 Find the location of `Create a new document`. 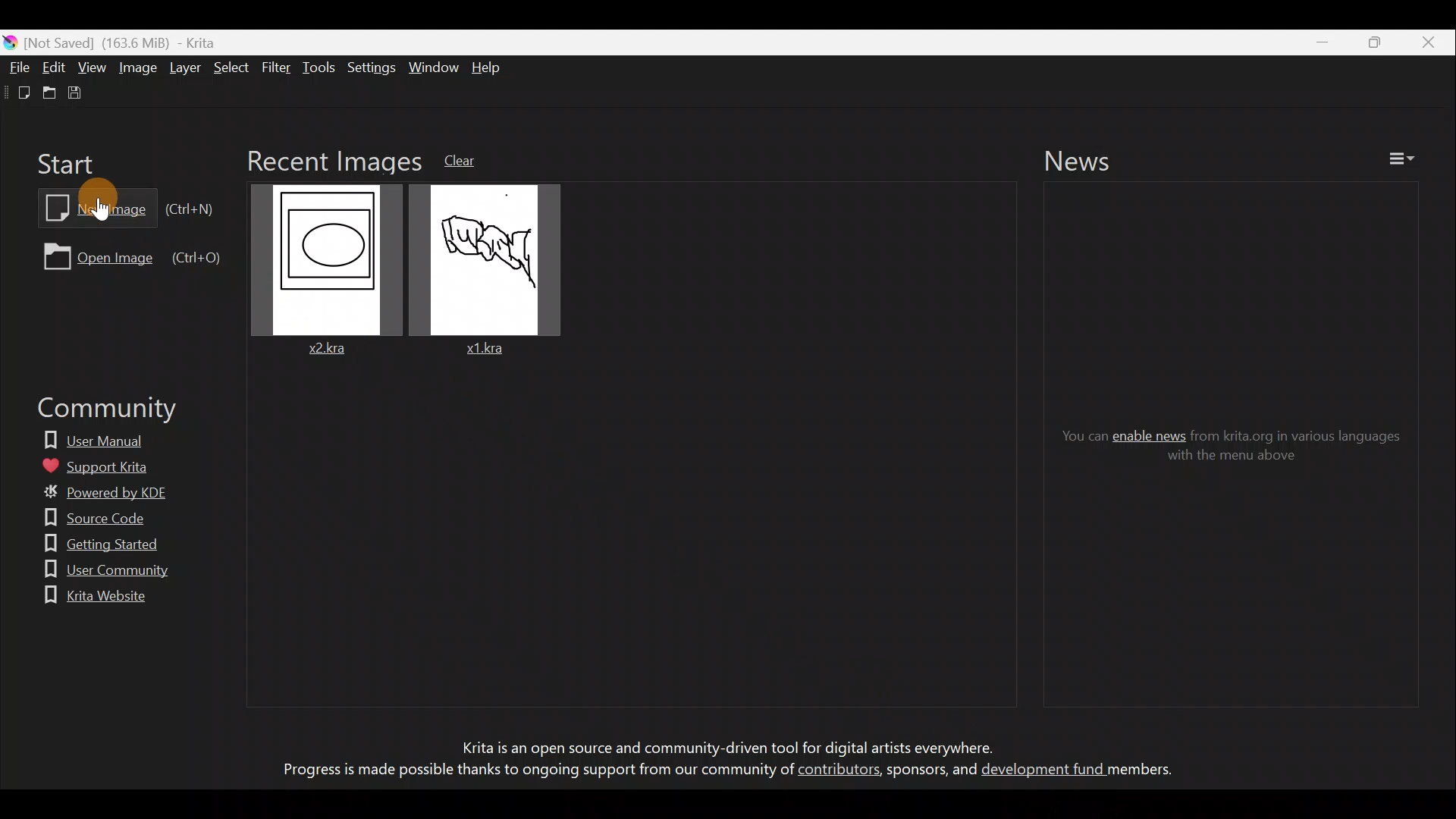

Create a new document is located at coordinates (15, 92).